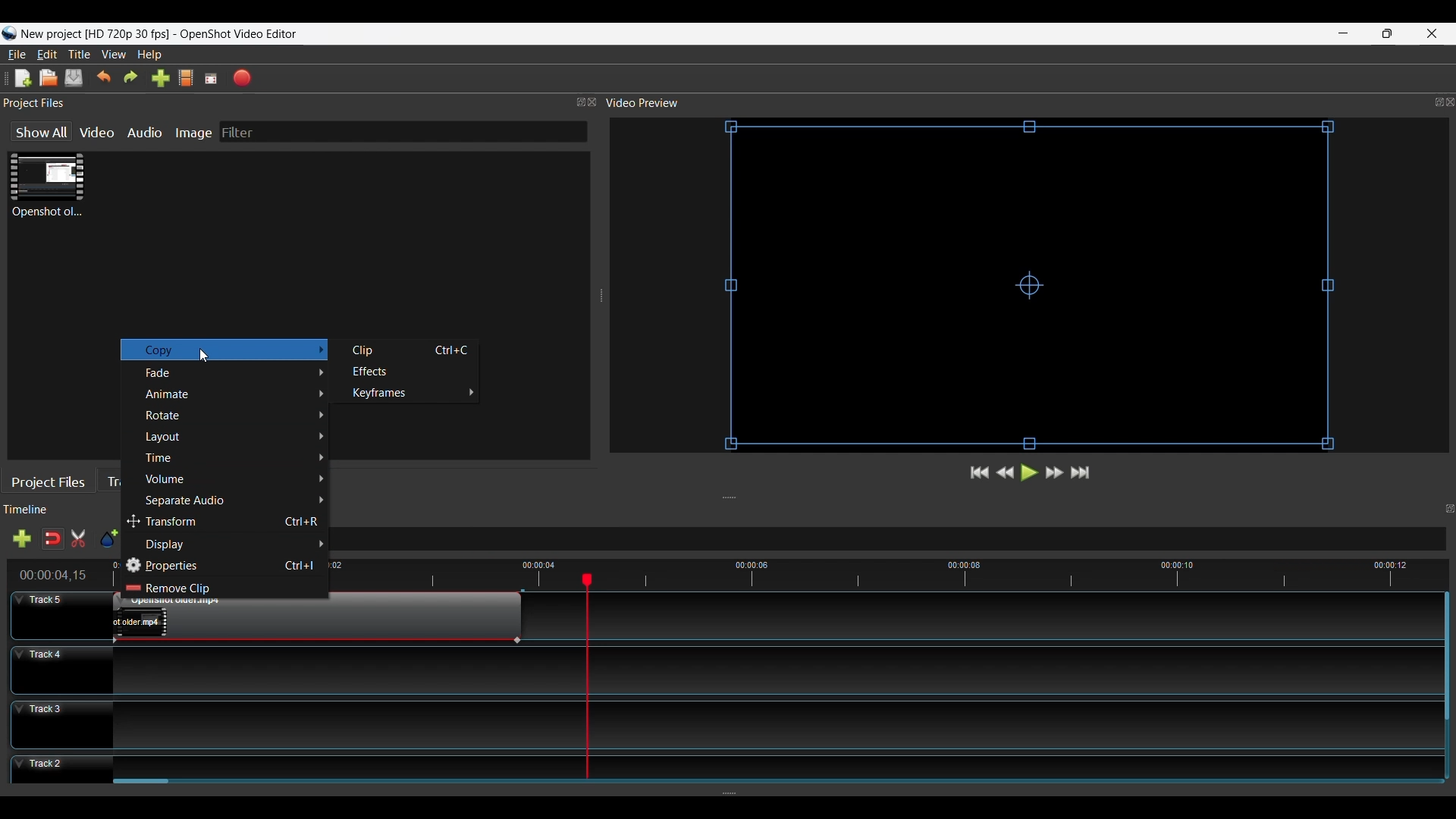 The height and width of the screenshot is (819, 1456). What do you see at coordinates (75, 79) in the screenshot?
I see `Save File` at bounding box center [75, 79].